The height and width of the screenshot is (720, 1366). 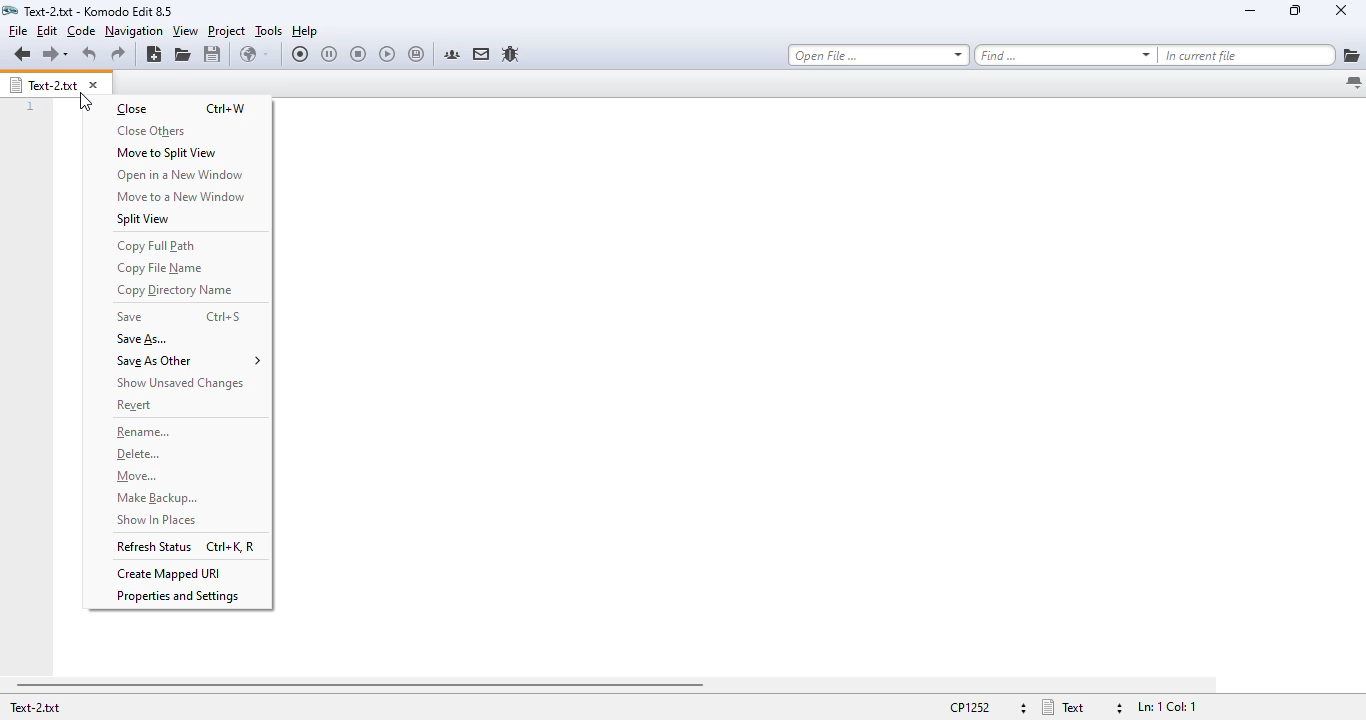 What do you see at coordinates (10, 11) in the screenshot?
I see `logo` at bounding box center [10, 11].